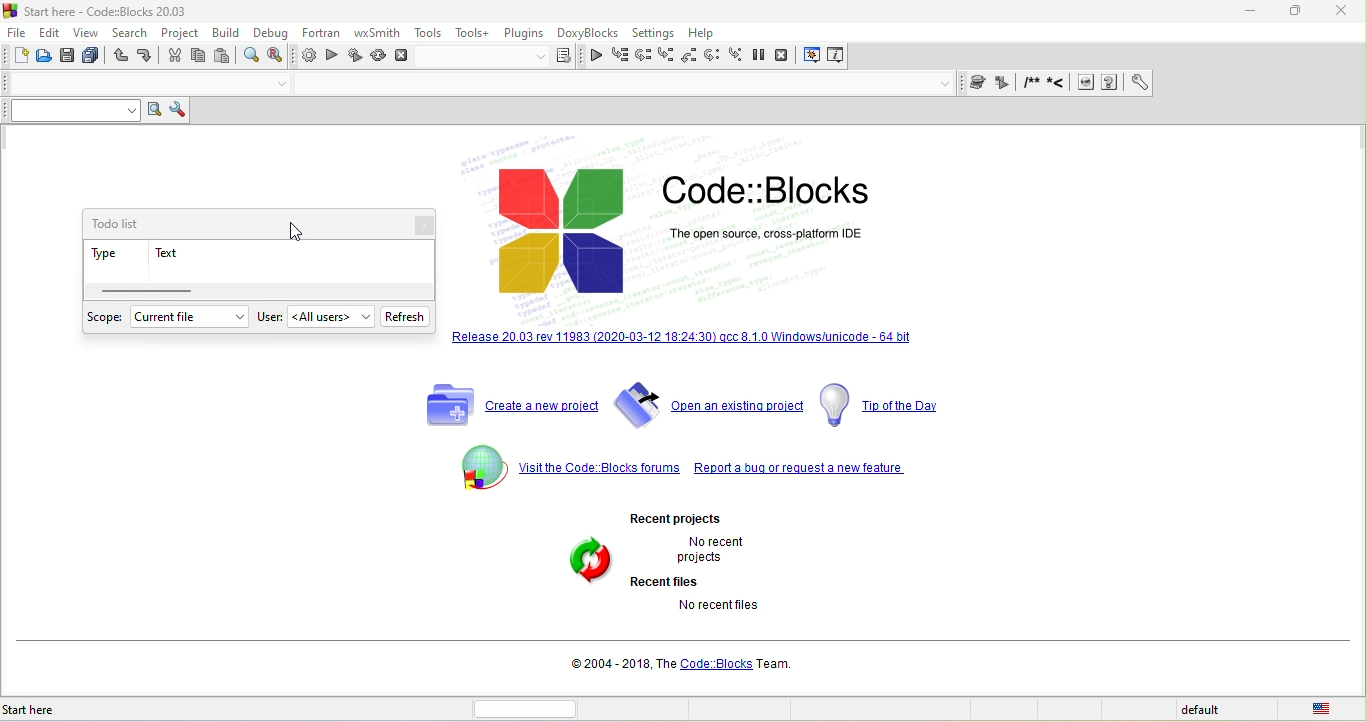 The height and width of the screenshot is (722, 1366). I want to click on abort, so click(403, 55).